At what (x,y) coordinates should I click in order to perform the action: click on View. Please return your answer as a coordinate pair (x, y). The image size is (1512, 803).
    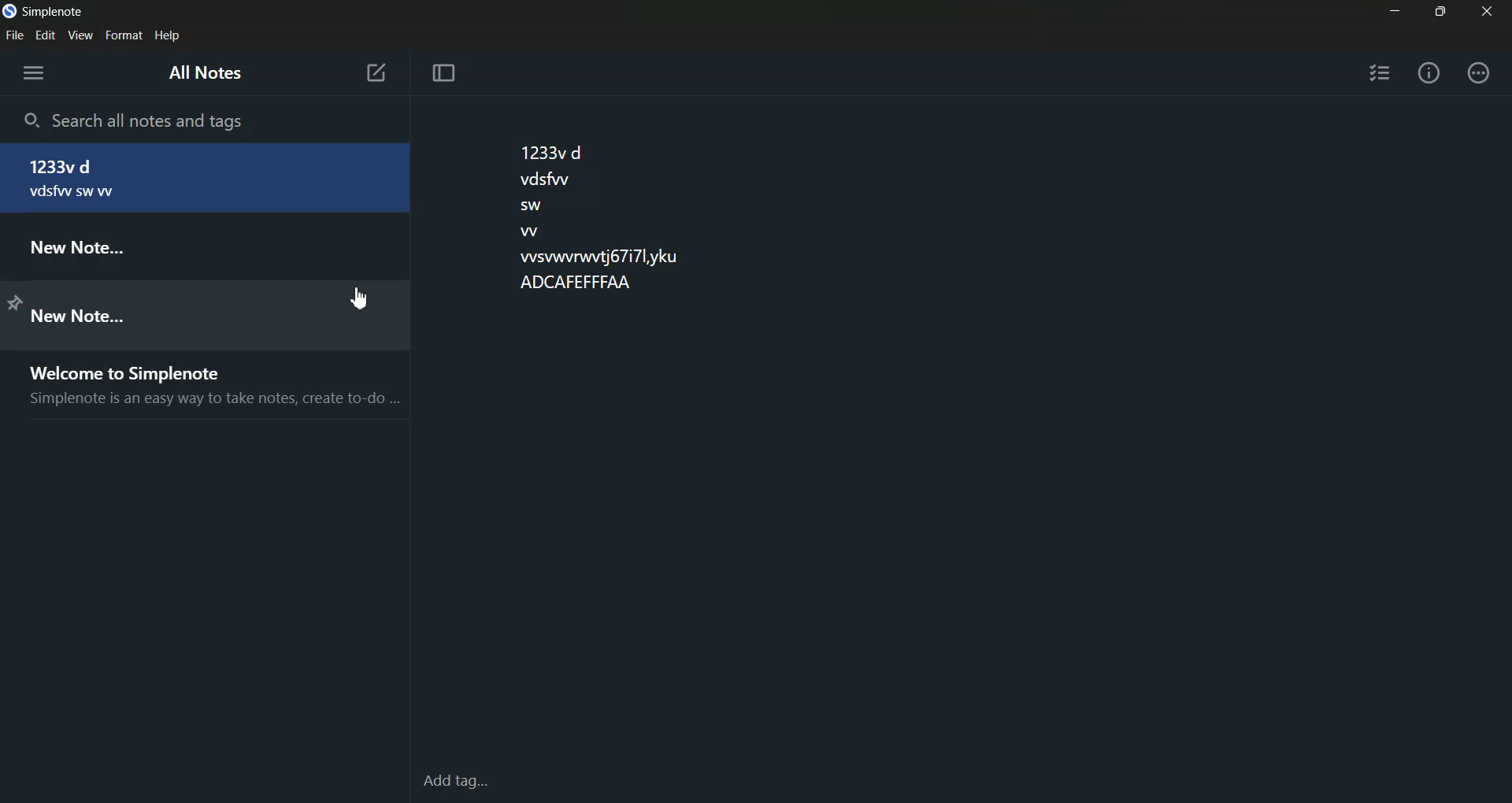
    Looking at the image, I should click on (80, 35).